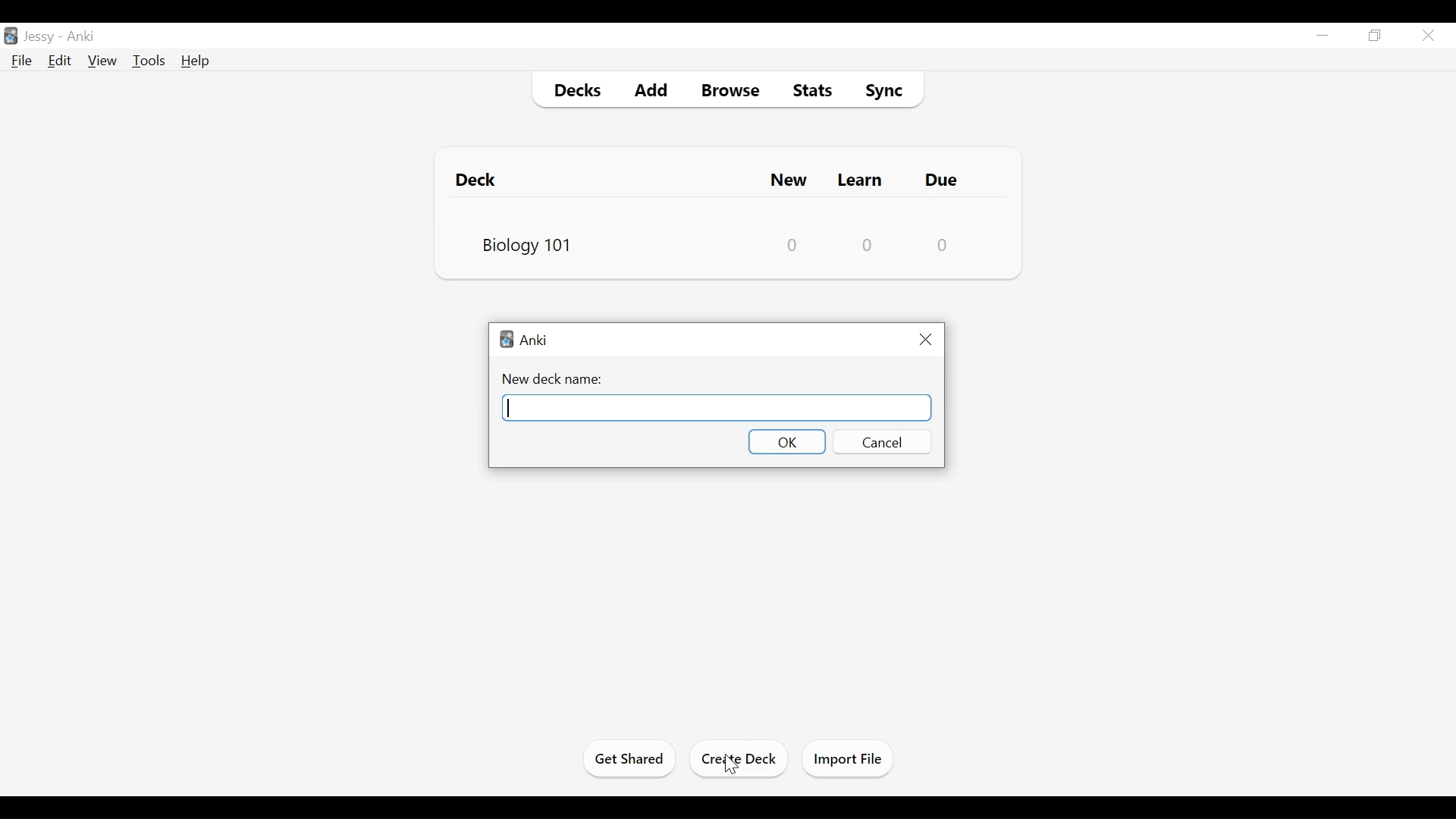 This screenshot has width=1456, height=819. I want to click on Anki, so click(85, 36).